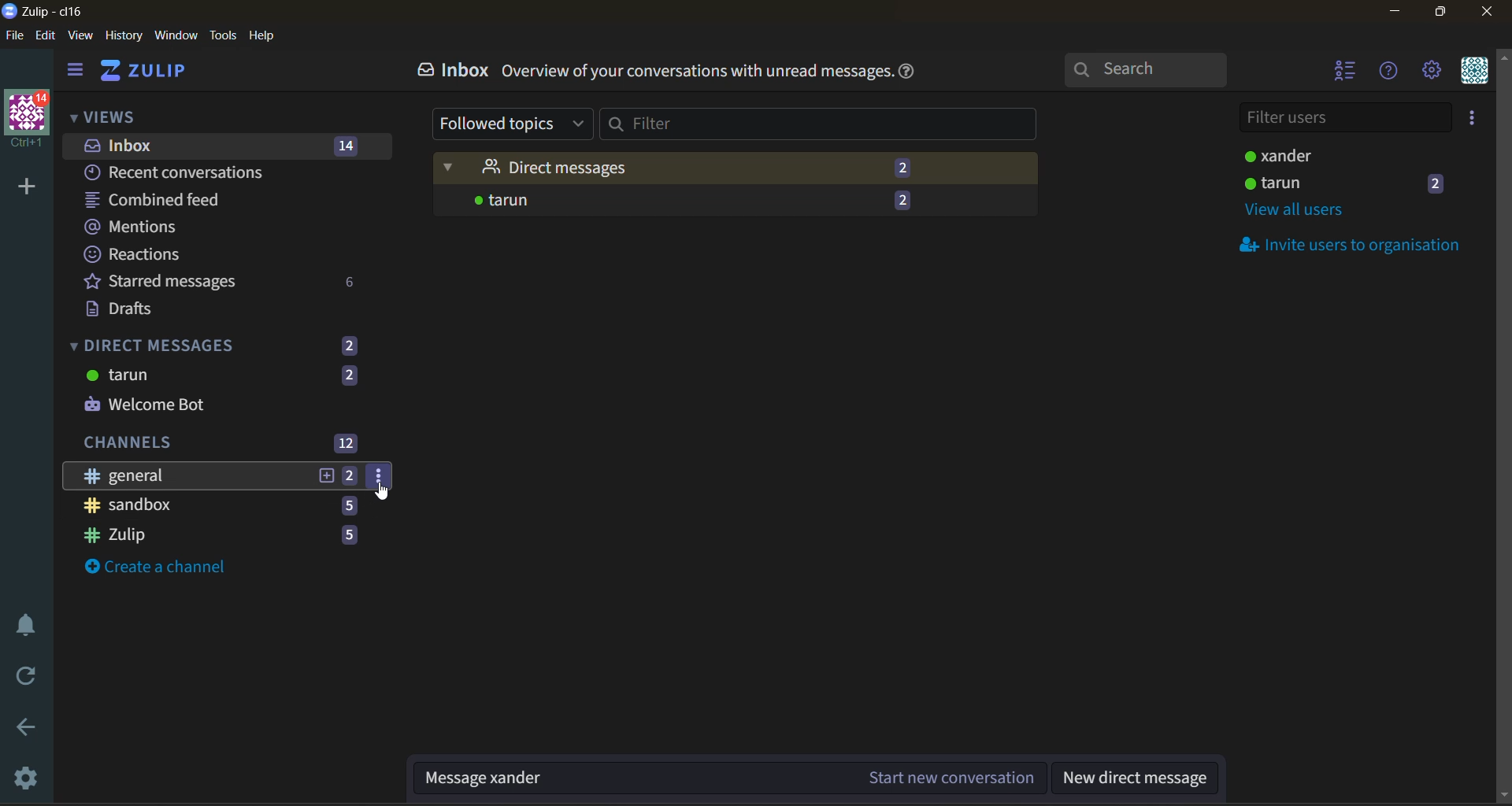 The image size is (1512, 806). I want to click on create a channel, so click(169, 571).